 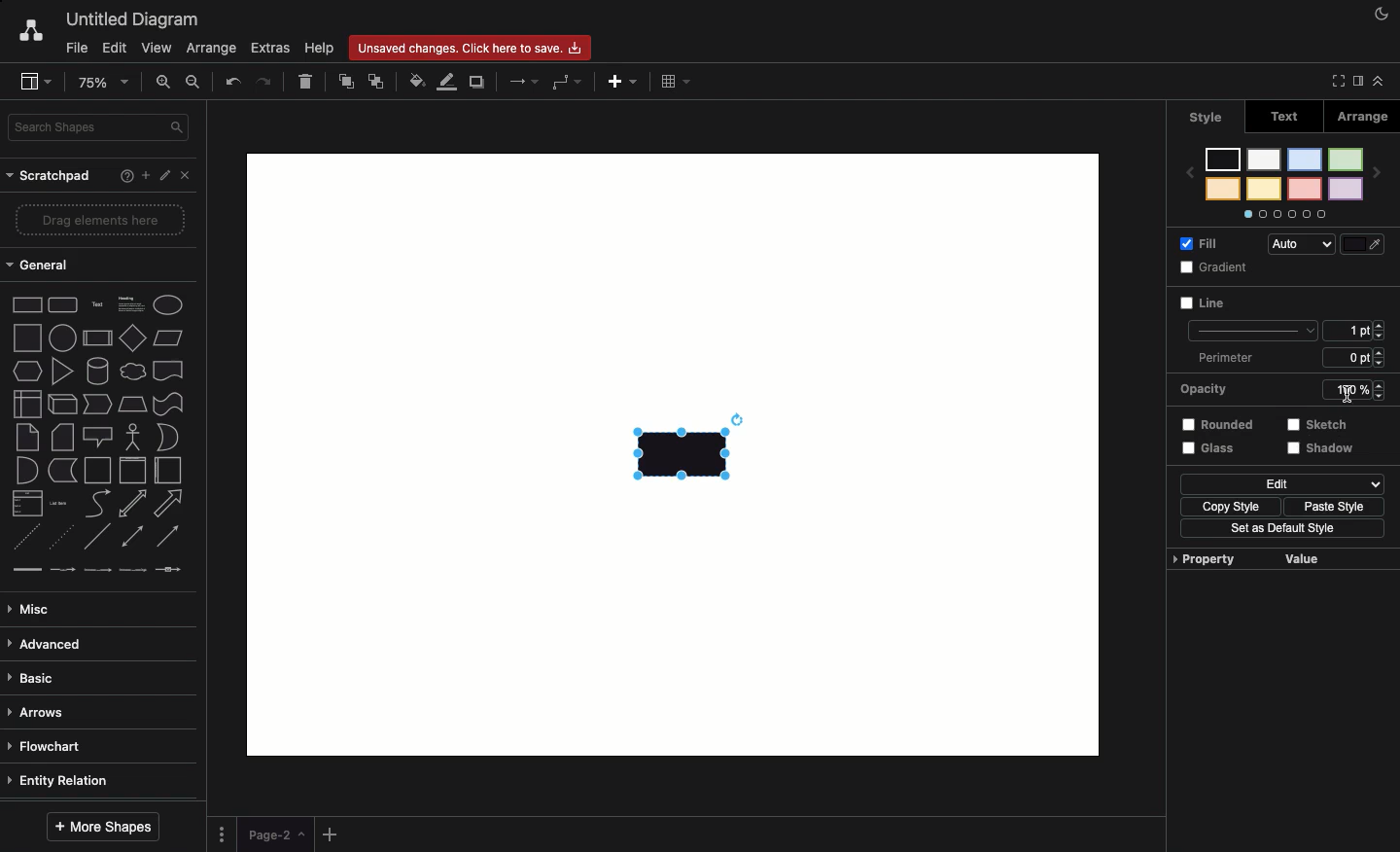 What do you see at coordinates (129, 406) in the screenshot?
I see `trapezoid` at bounding box center [129, 406].